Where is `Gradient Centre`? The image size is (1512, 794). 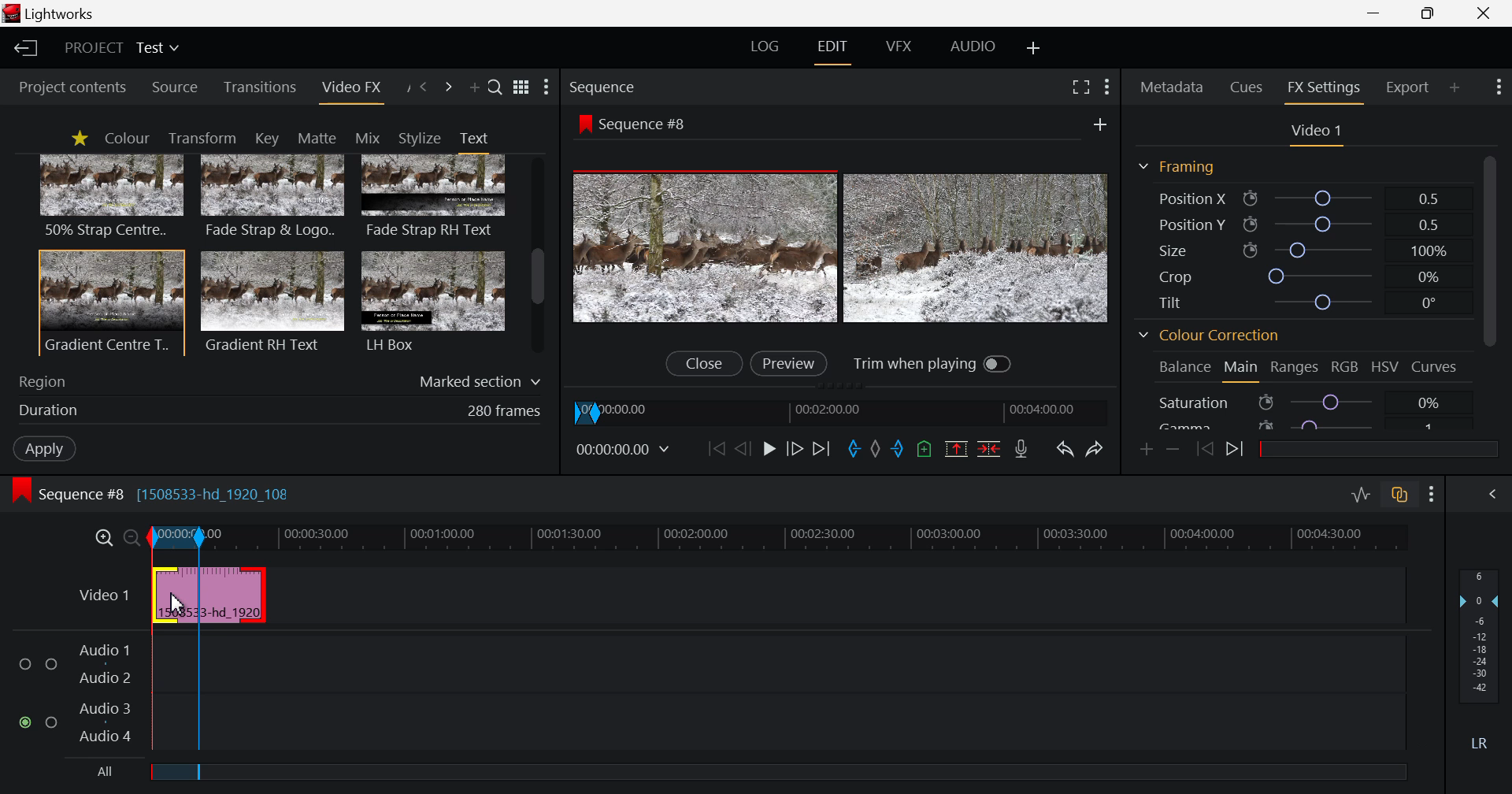
Gradient Centre is located at coordinates (110, 302).